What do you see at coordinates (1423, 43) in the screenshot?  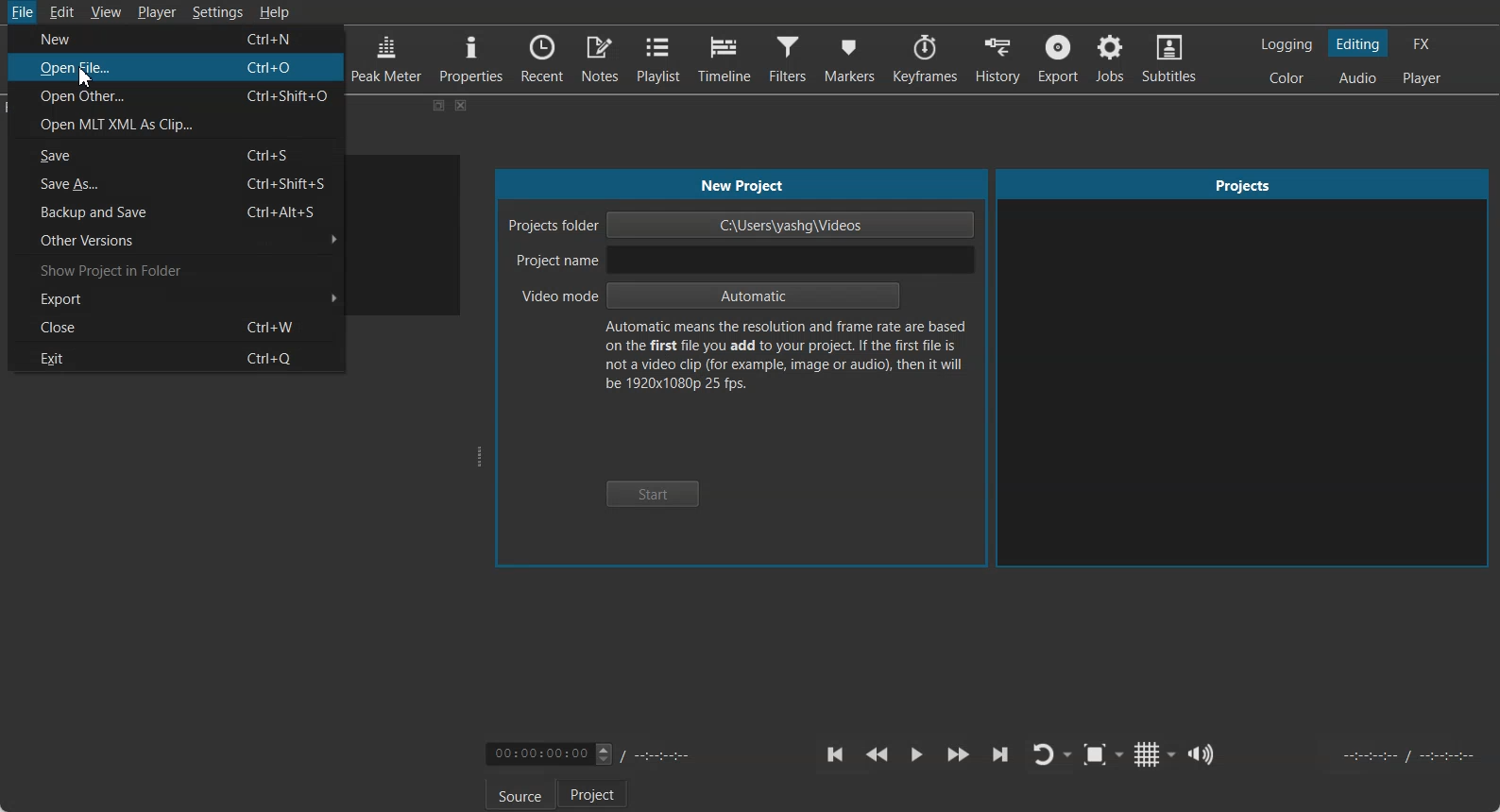 I see `Switching to the Effect layout` at bounding box center [1423, 43].